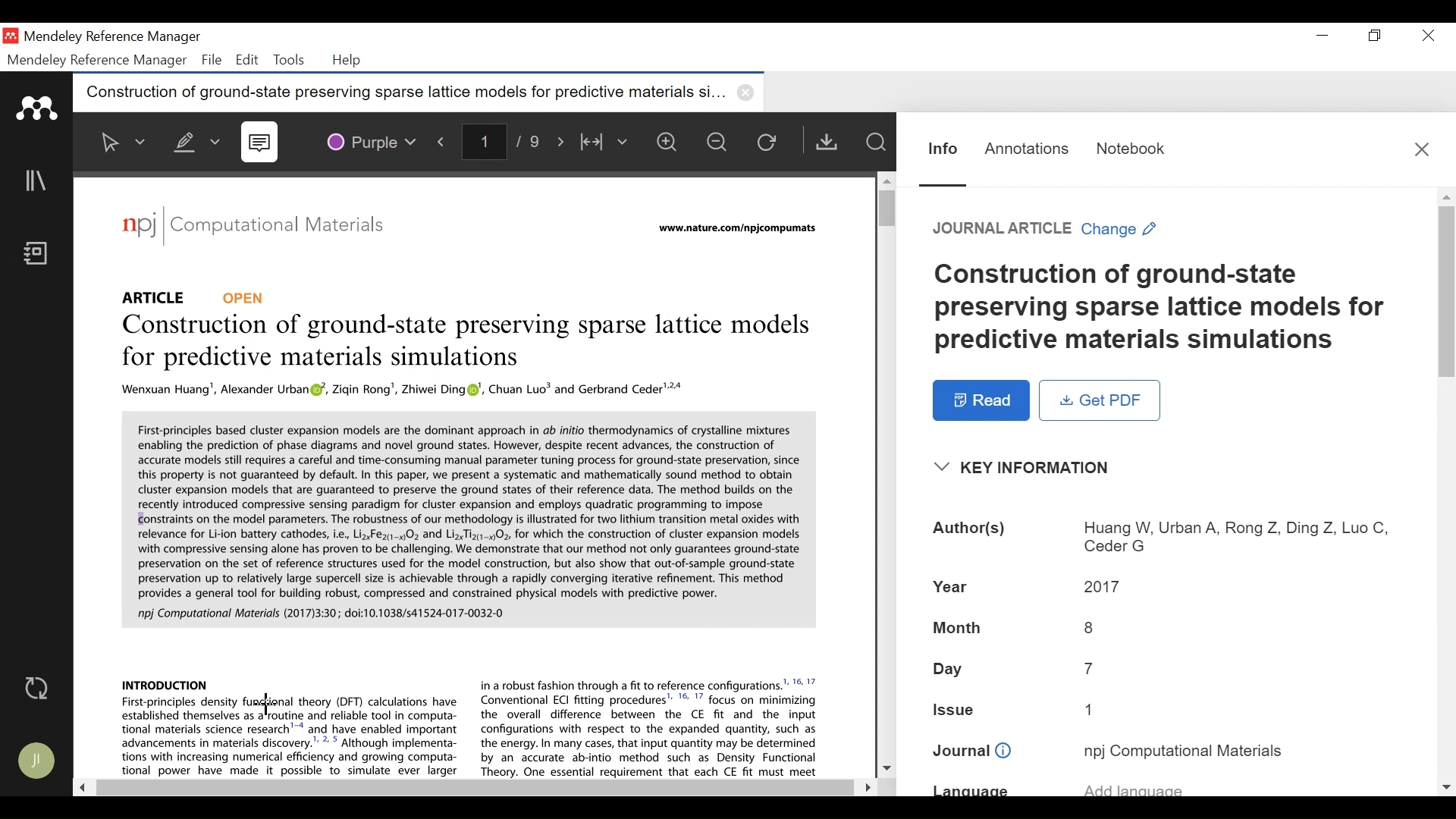  What do you see at coordinates (193, 139) in the screenshot?
I see `Highlight` at bounding box center [193, 139].